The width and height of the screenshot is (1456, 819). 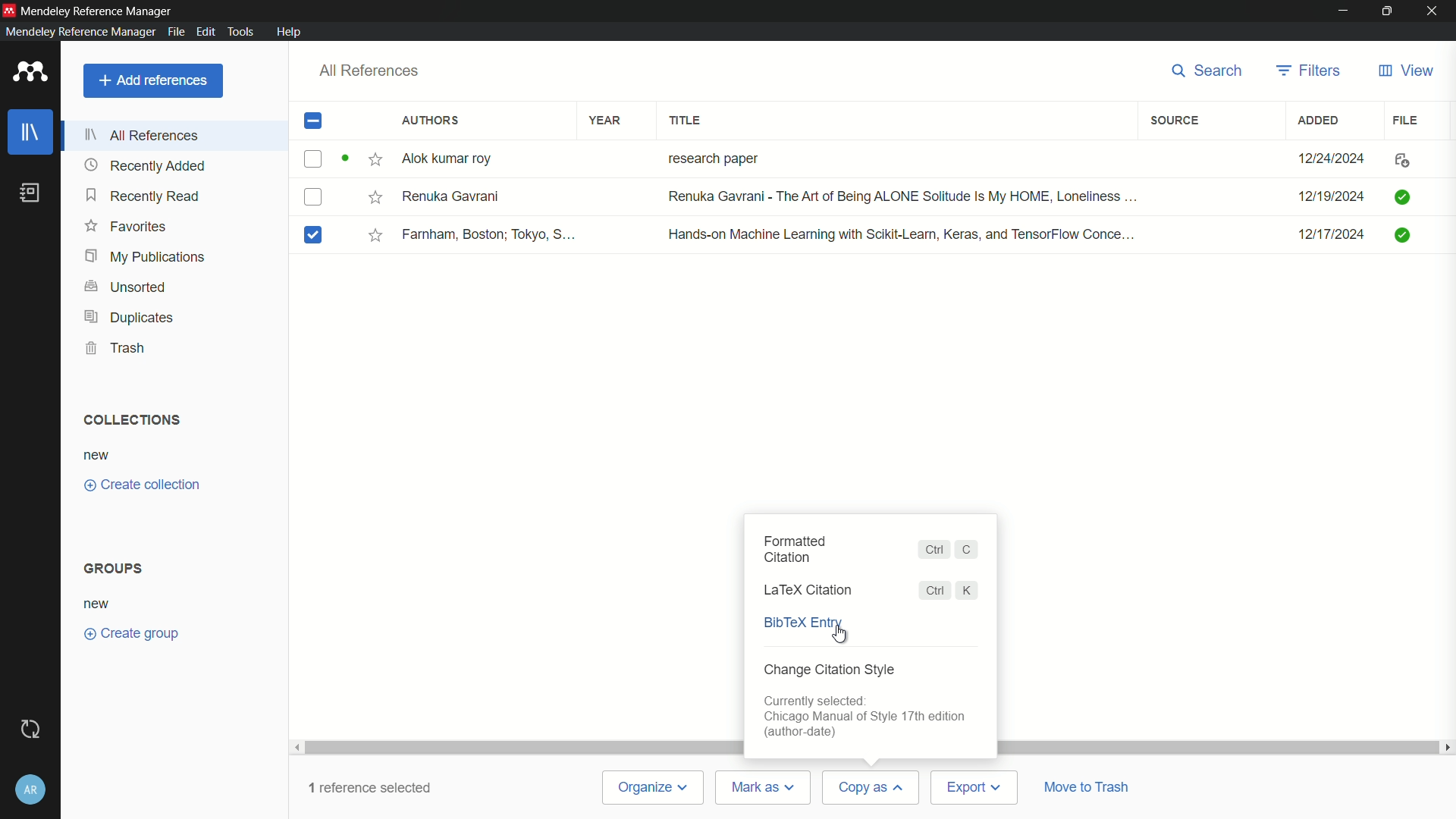 What do you see at coordinates (428, 121) in the screenshot?
I see `authors` at bounding box center [428, 121].